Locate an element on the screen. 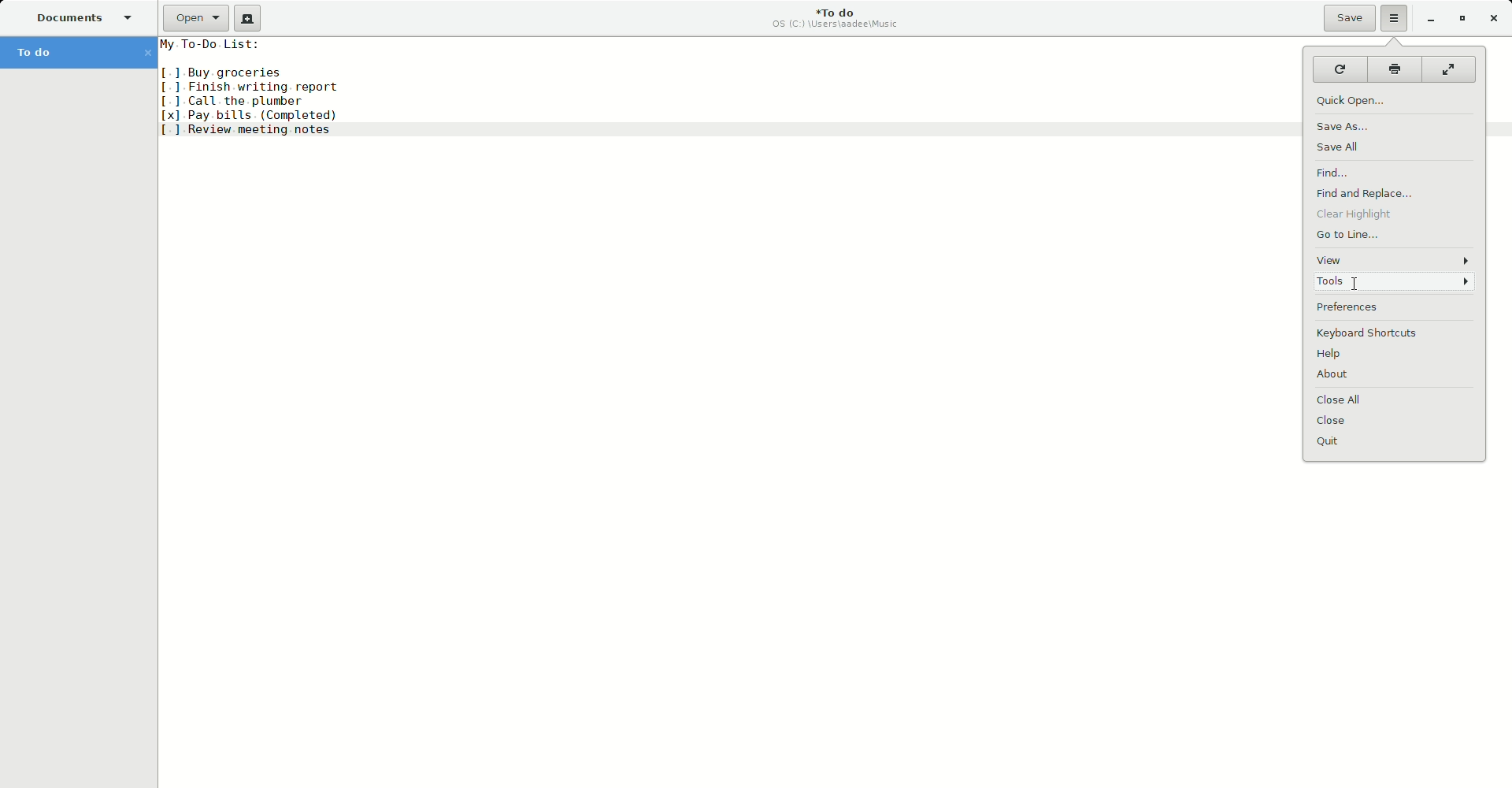 This screenshot has height=788, width=1512. Print is located at coordinates (1395, 70).